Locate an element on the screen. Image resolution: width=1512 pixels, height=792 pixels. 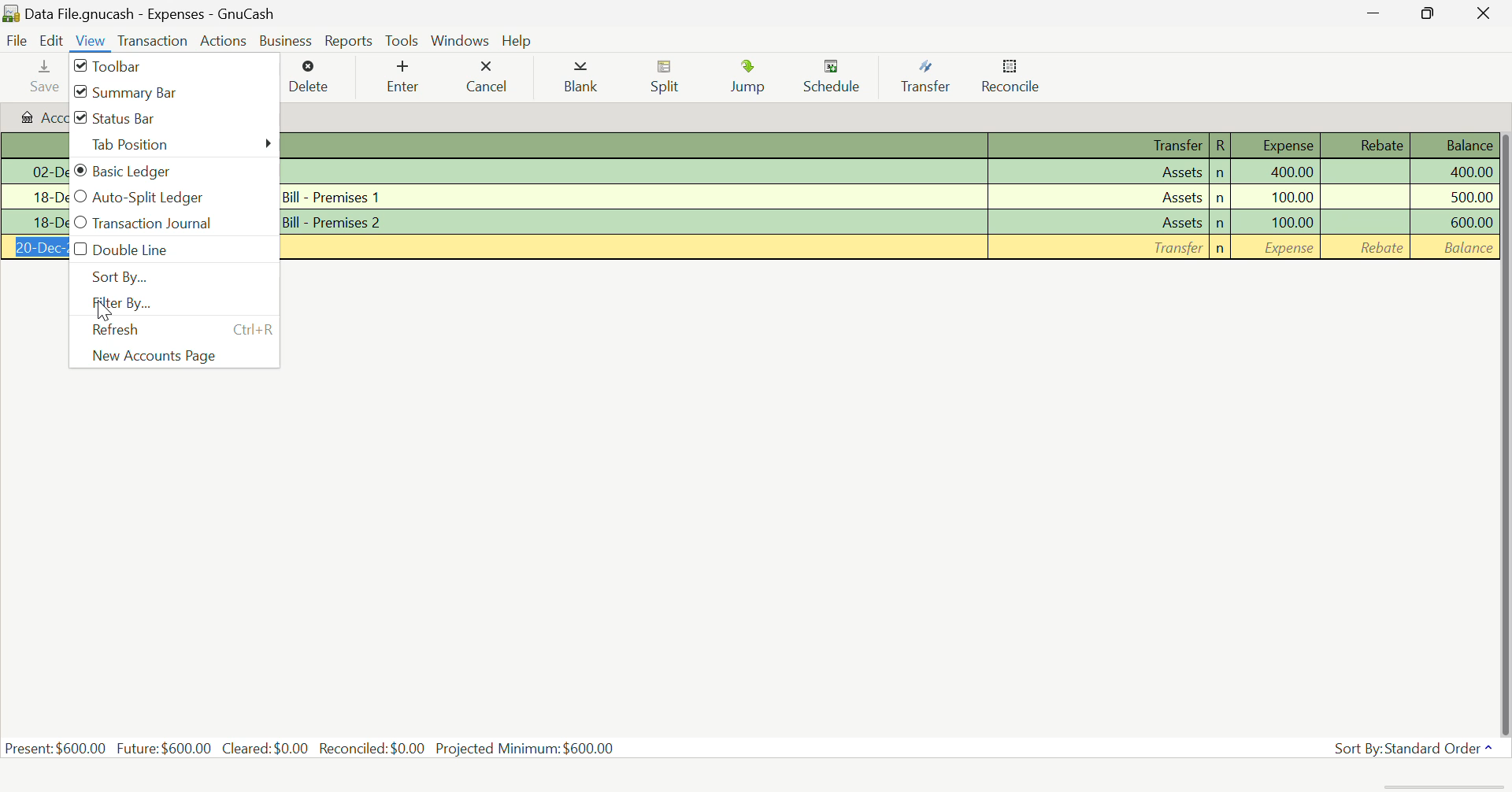
Double Line is located at coordinates (169, 251).